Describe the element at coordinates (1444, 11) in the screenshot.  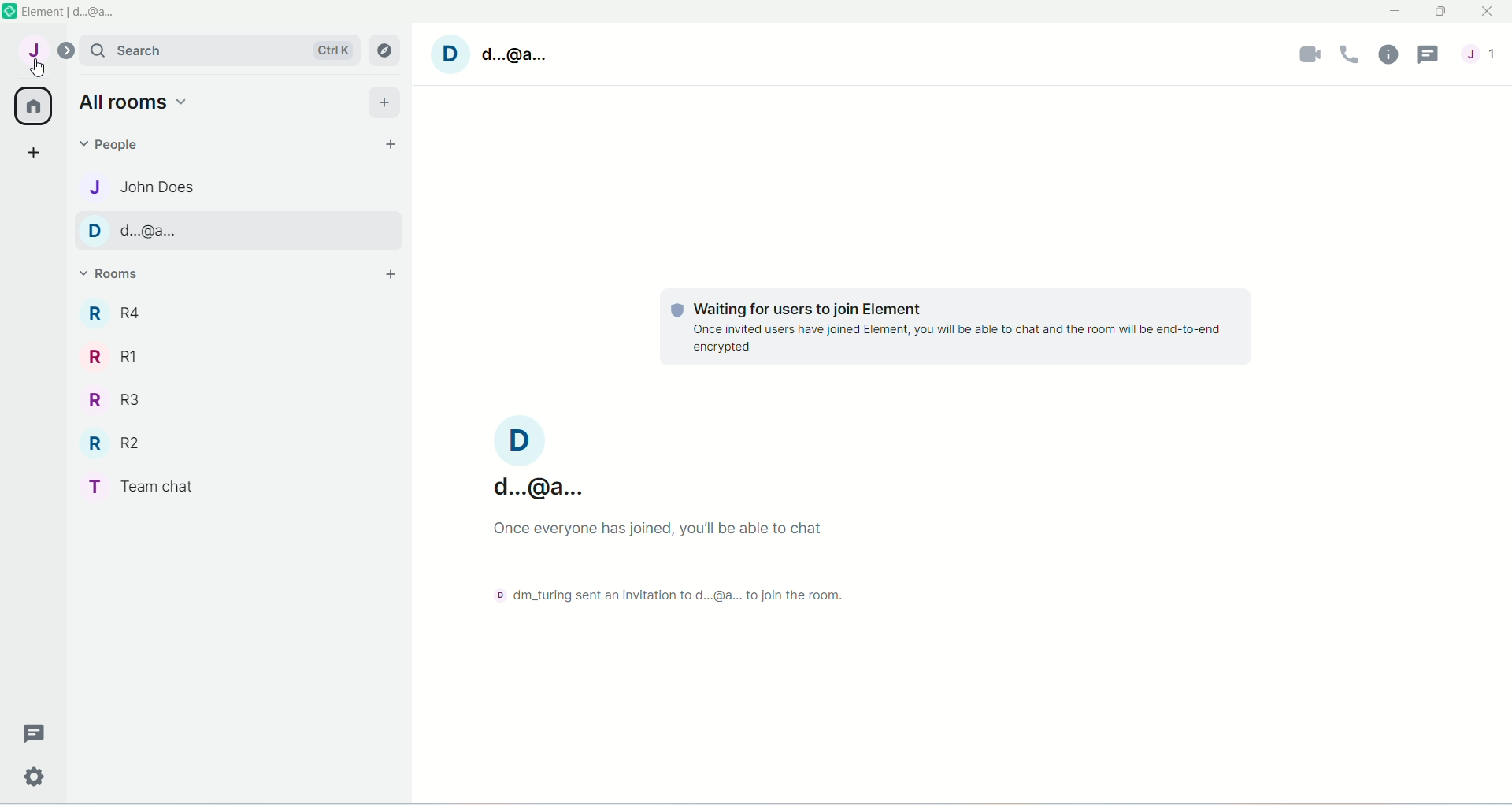
I see `Maximize` at that location.